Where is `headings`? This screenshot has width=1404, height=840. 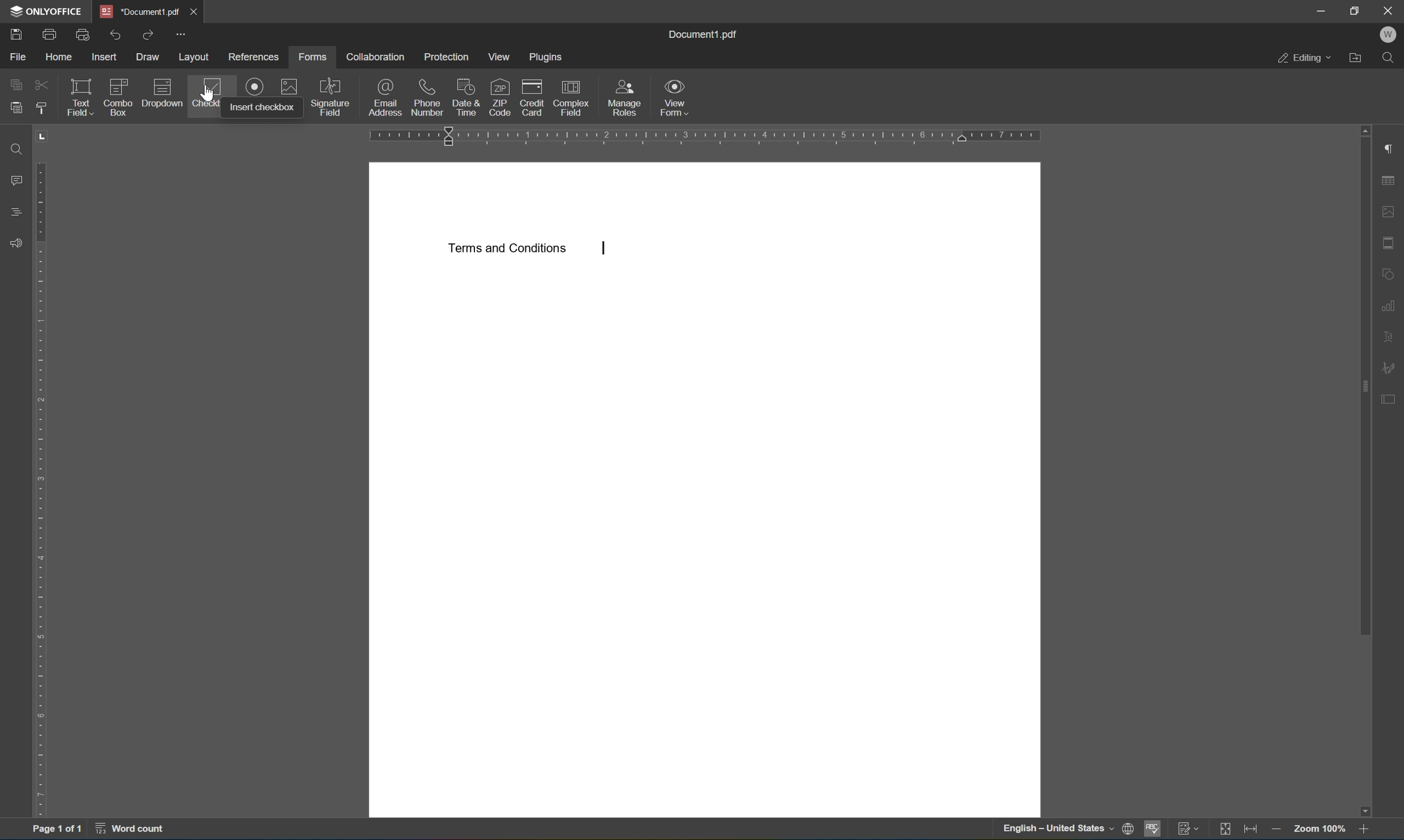 headings is located at coordinates (16, 211).